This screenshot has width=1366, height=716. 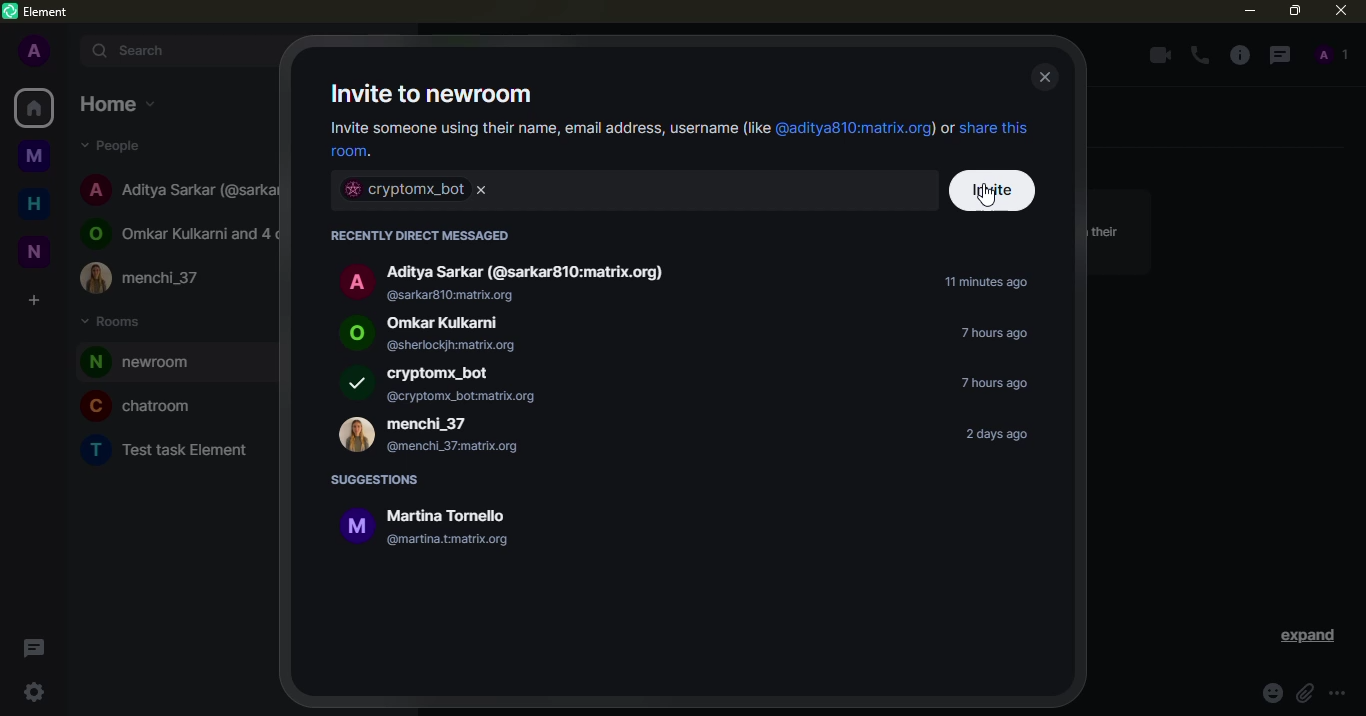 I want to click on i Martina Tornello
@martina.tmatrix.org, so click(x=466, y=528).